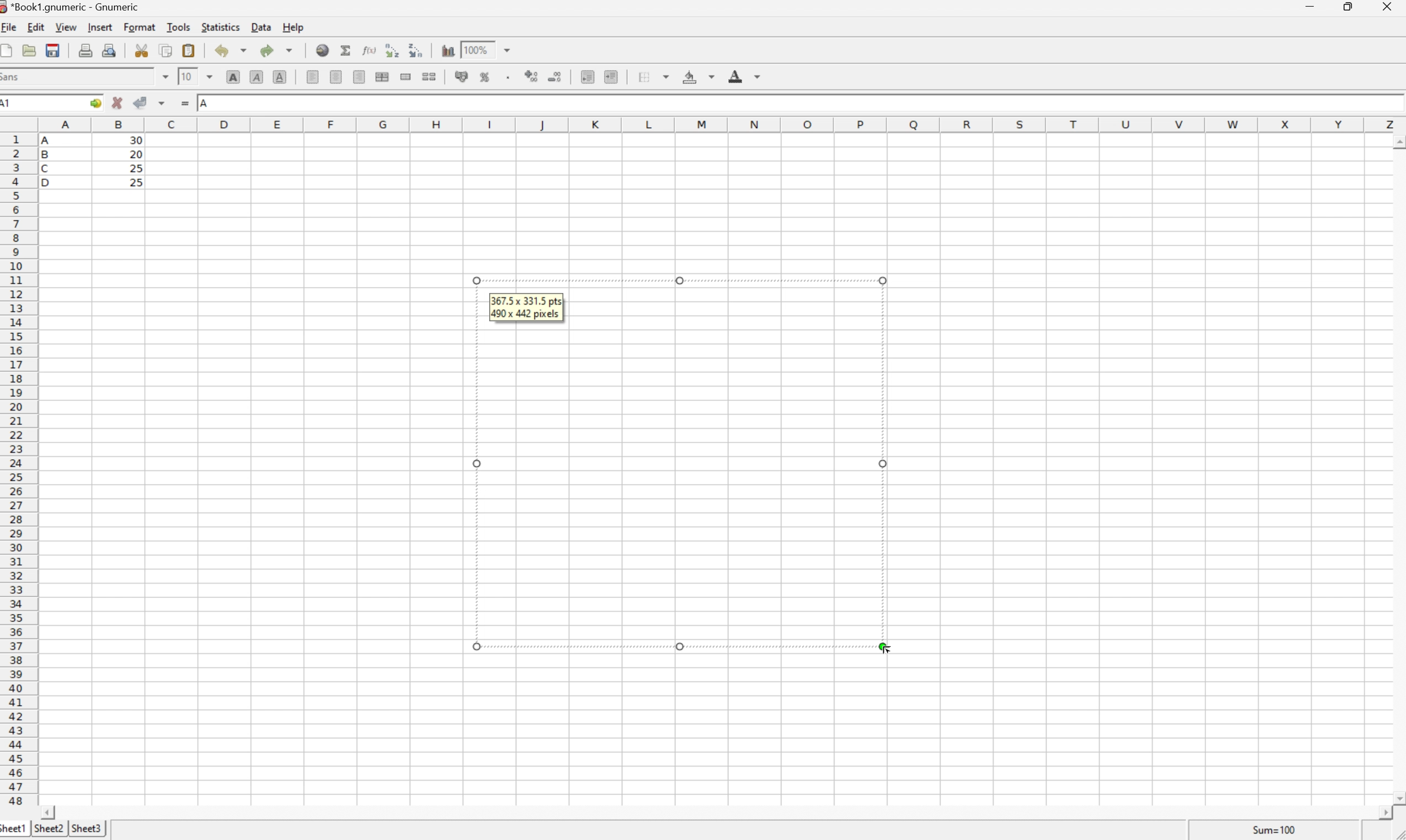 This screenshot has width=1406, height=840. What do you see at coordinates (511, 49) in the screenshot?
I see `Drop Down` at bounding box center [511, 49].